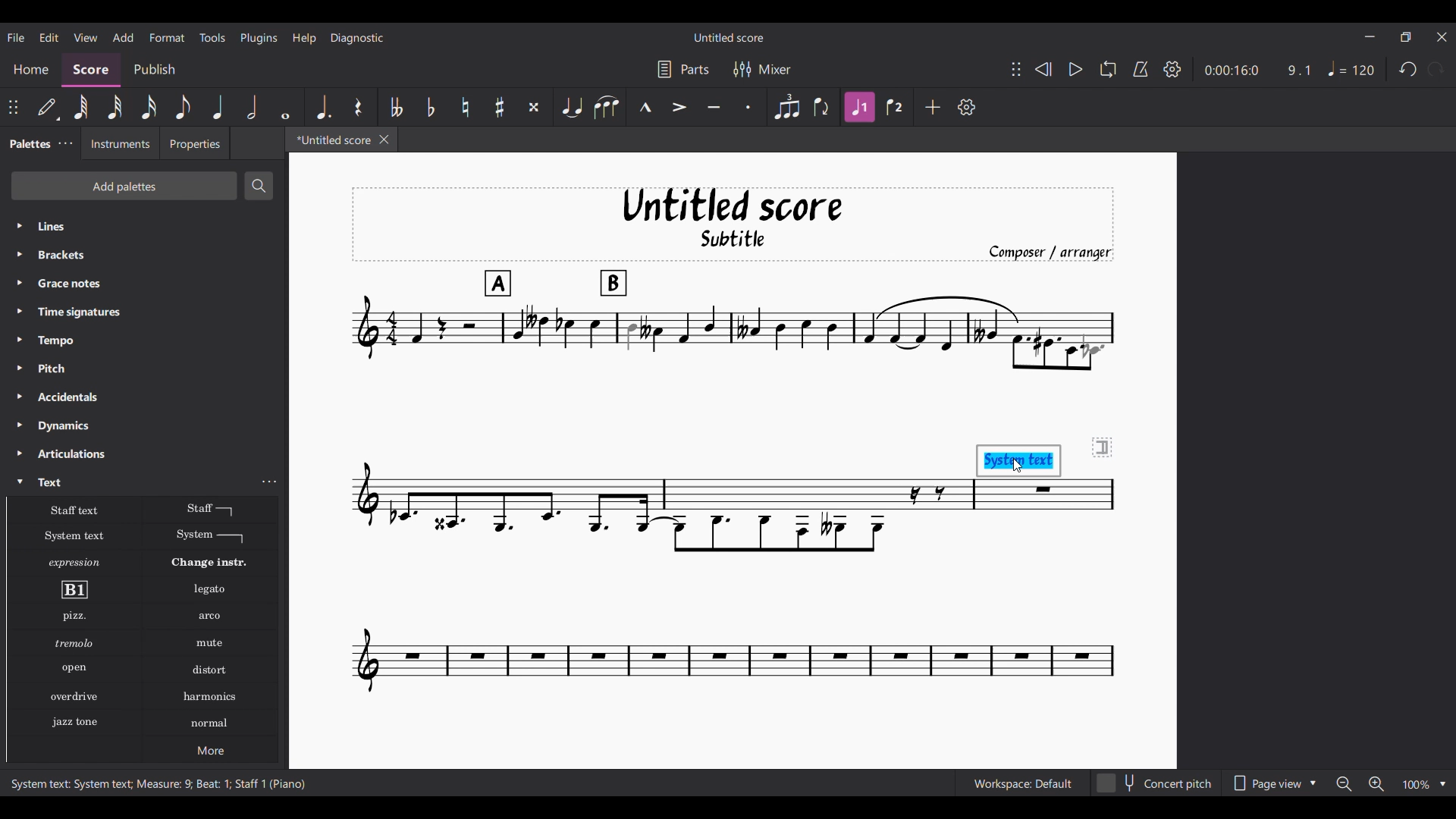 The image size is (1456, 819). Describe the element at coordinates (1425, 783) in the screenshot. I see `Zoom options` at that location.